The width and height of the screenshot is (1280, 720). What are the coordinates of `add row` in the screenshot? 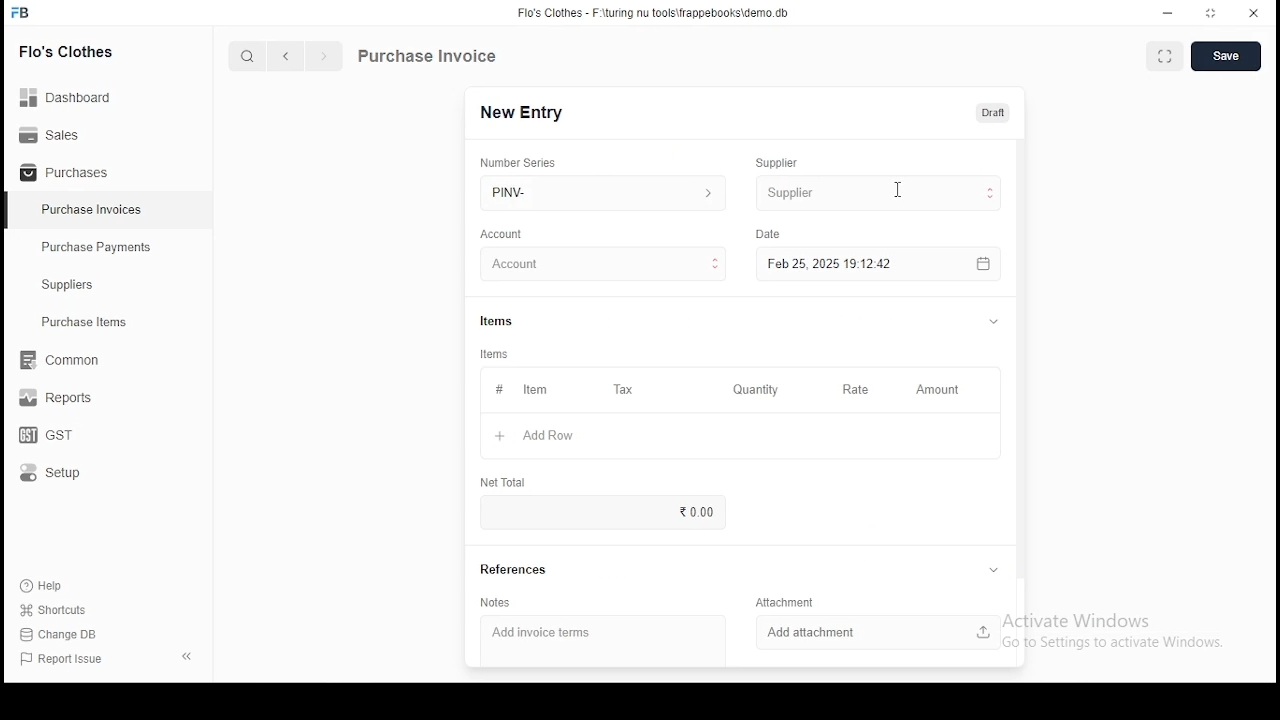 It's located at (551, 436).